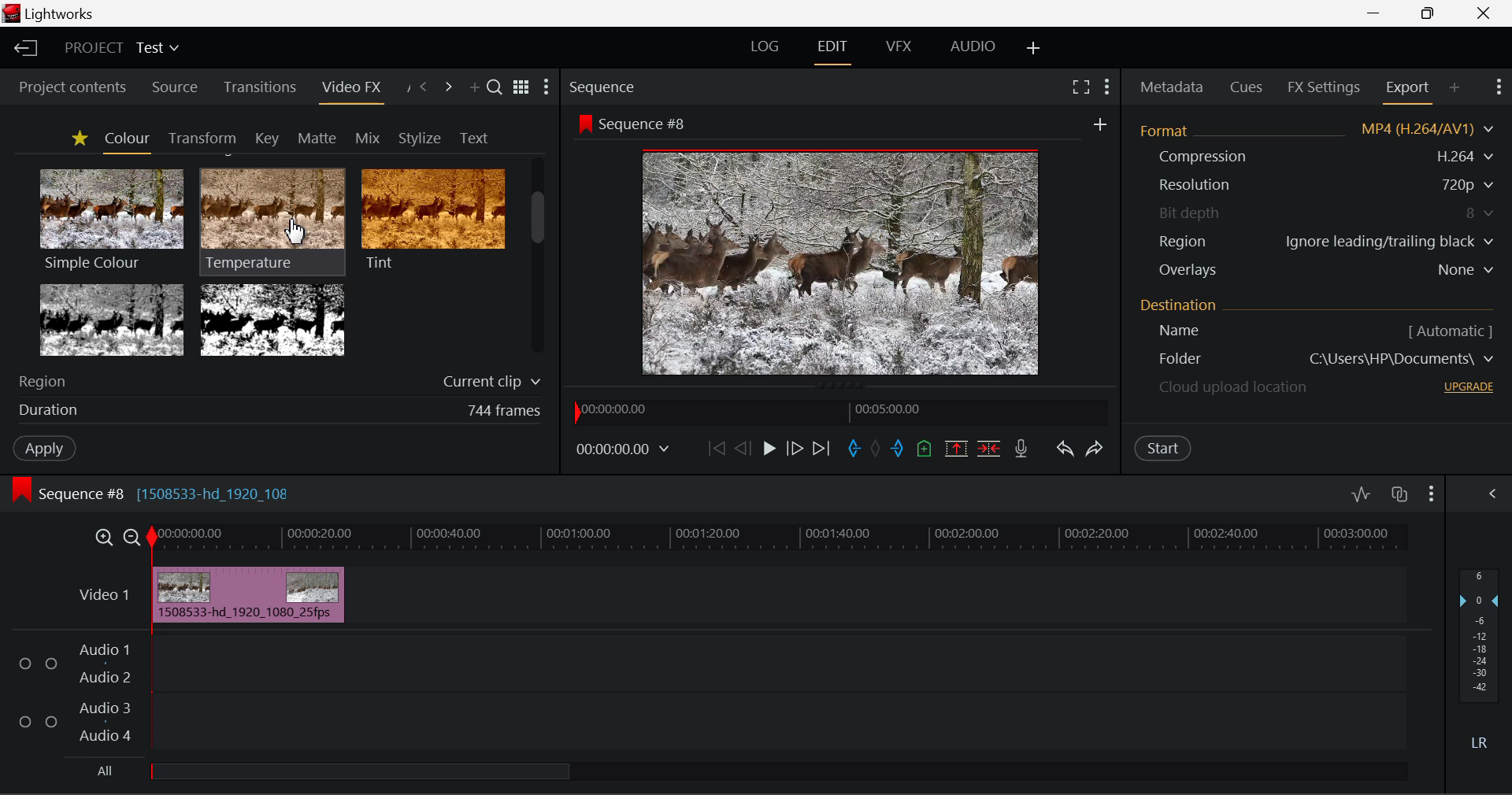 This screenshot has width=1512, height=795. I want to click on Video FX, so click(350, 92).